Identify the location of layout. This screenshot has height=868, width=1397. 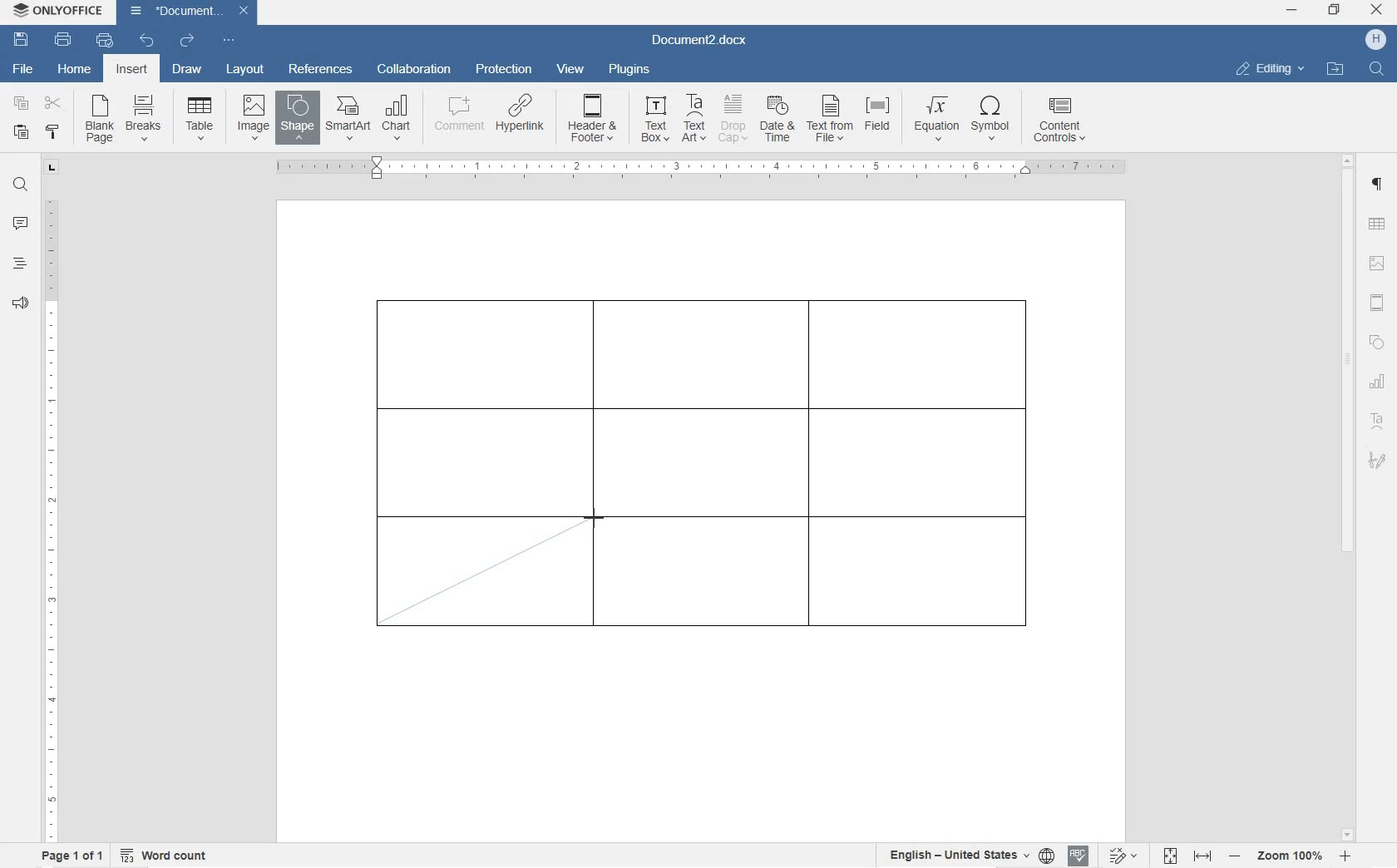
(246, 70).